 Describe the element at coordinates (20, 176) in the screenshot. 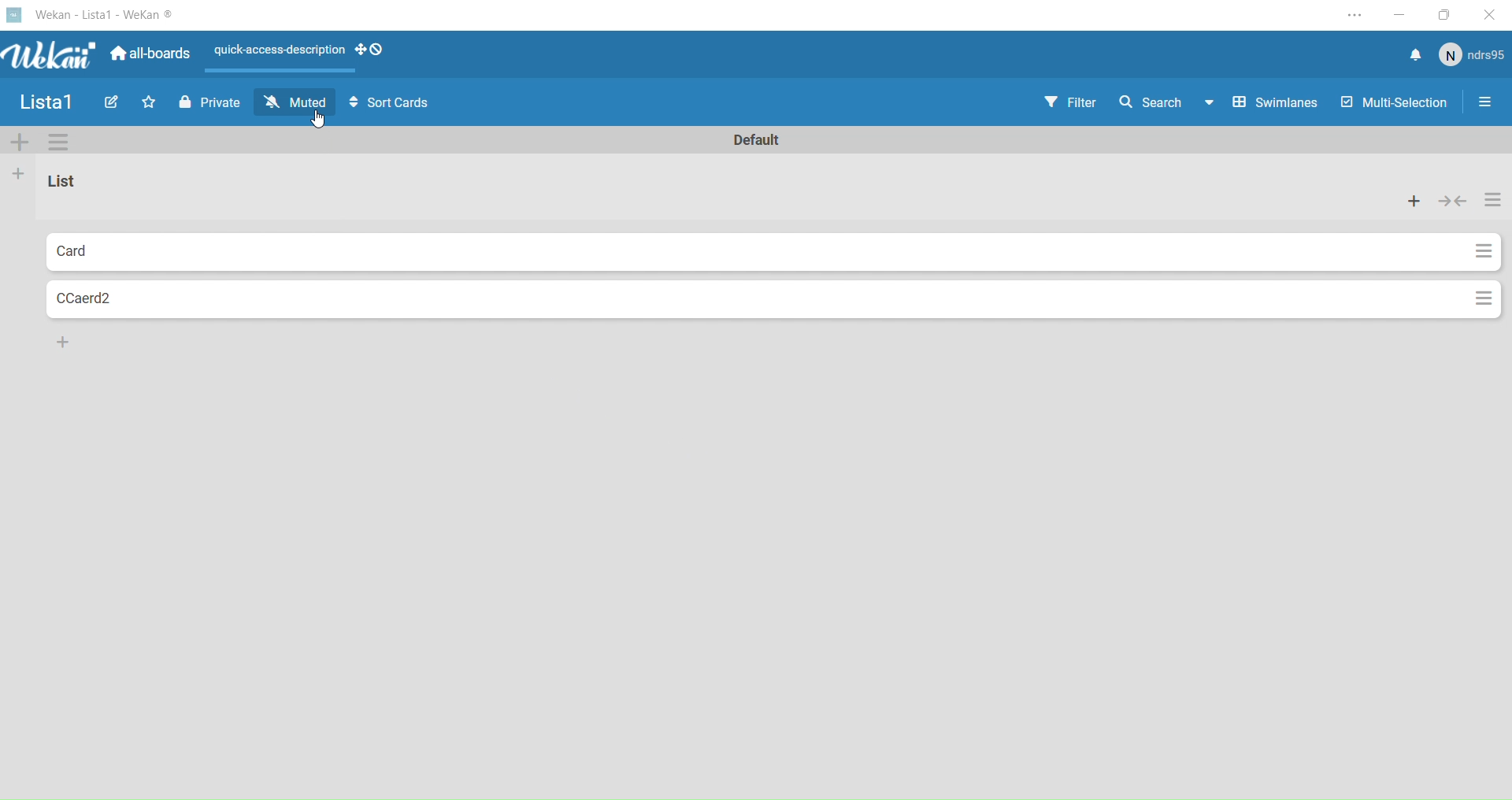

I see `Add` at that location.